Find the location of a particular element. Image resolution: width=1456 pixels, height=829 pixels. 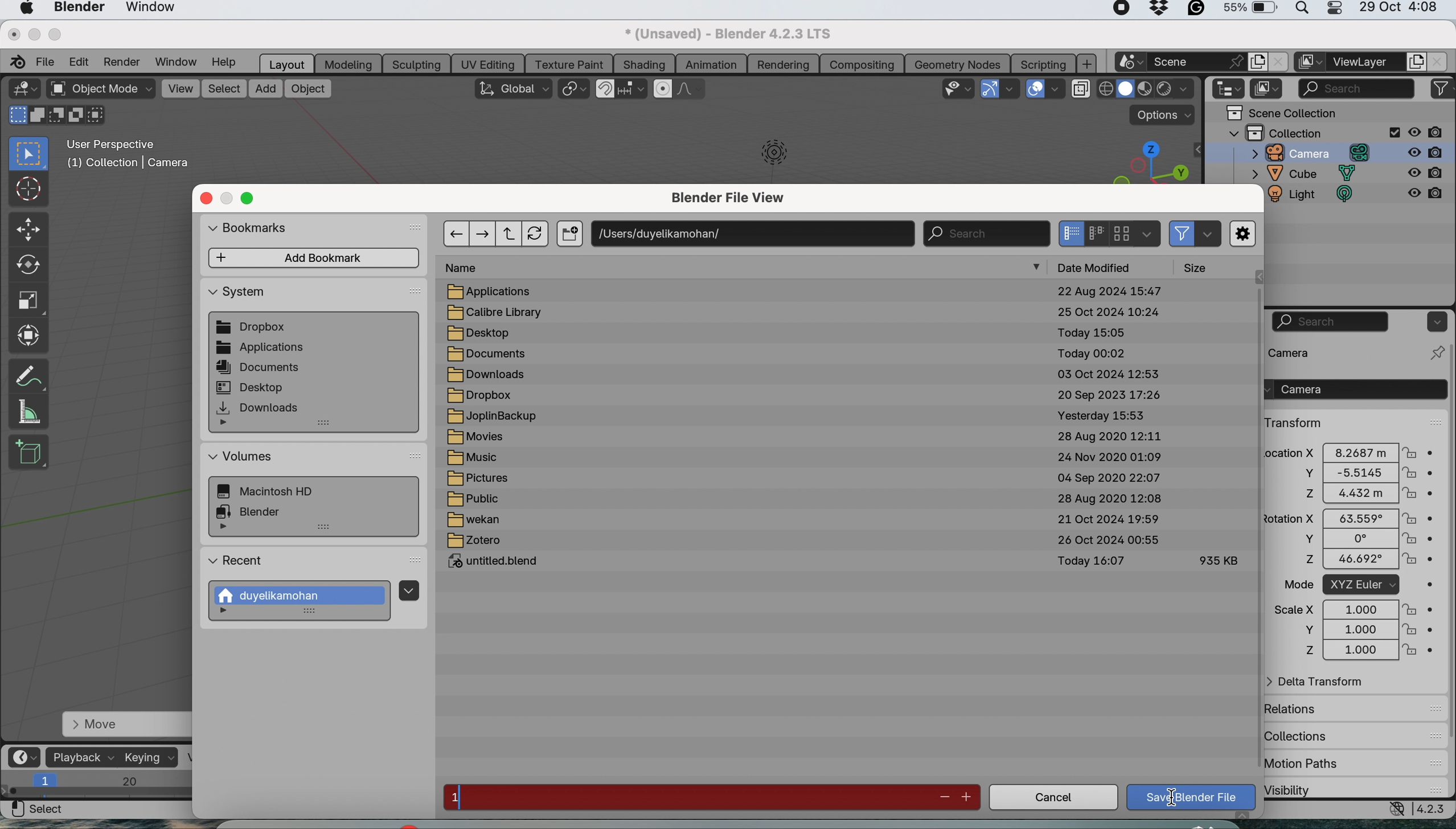

date modified is located at coordinates (1102, 266).